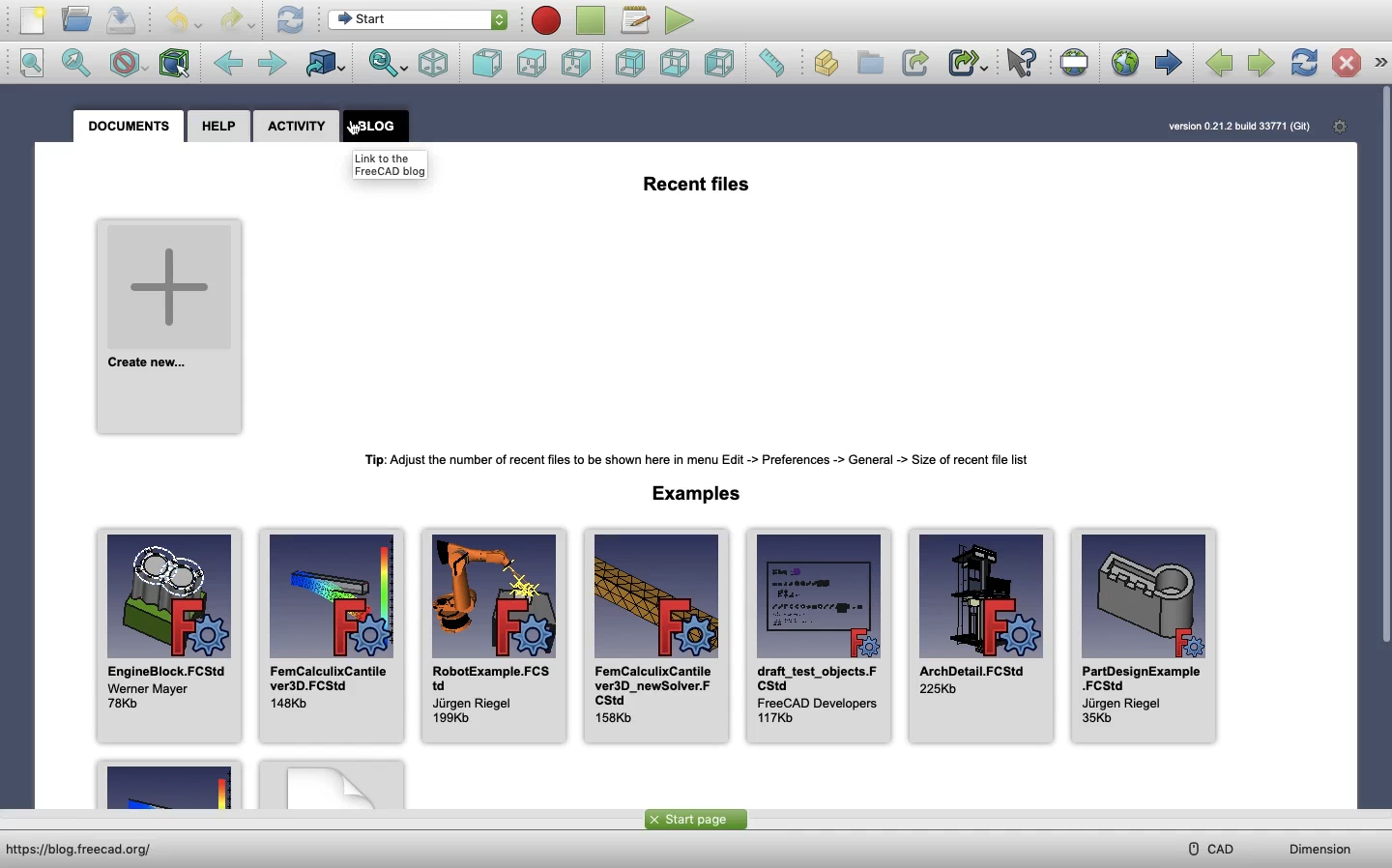 The width and height of the screenshot is (1392, 868). I want to click on Toggle Fullscreen, so click(1074, 61).